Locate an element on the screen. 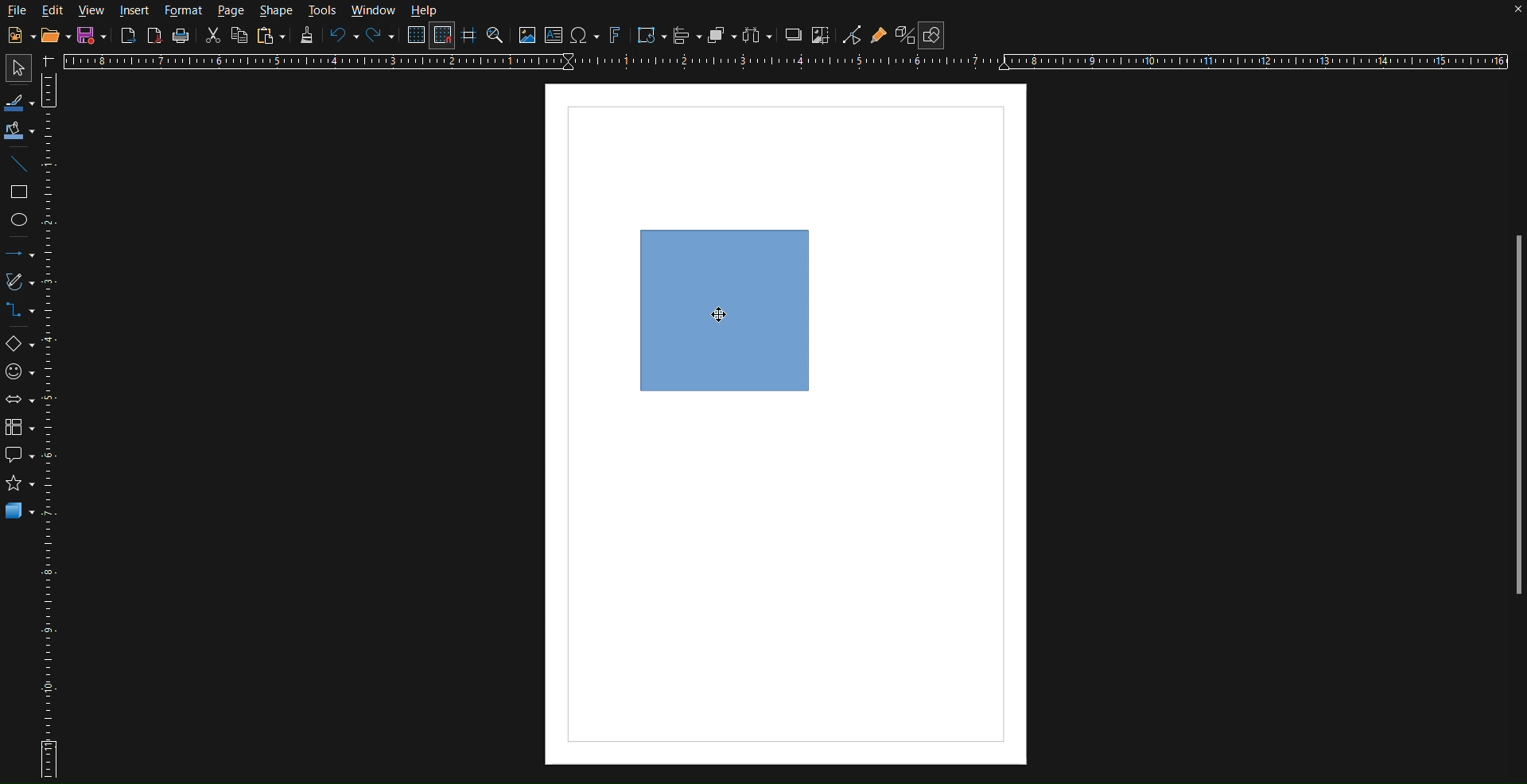 Image resolution: width=1527 pixels, height=784 pixels. Edit is located at coordinates (55, 10).